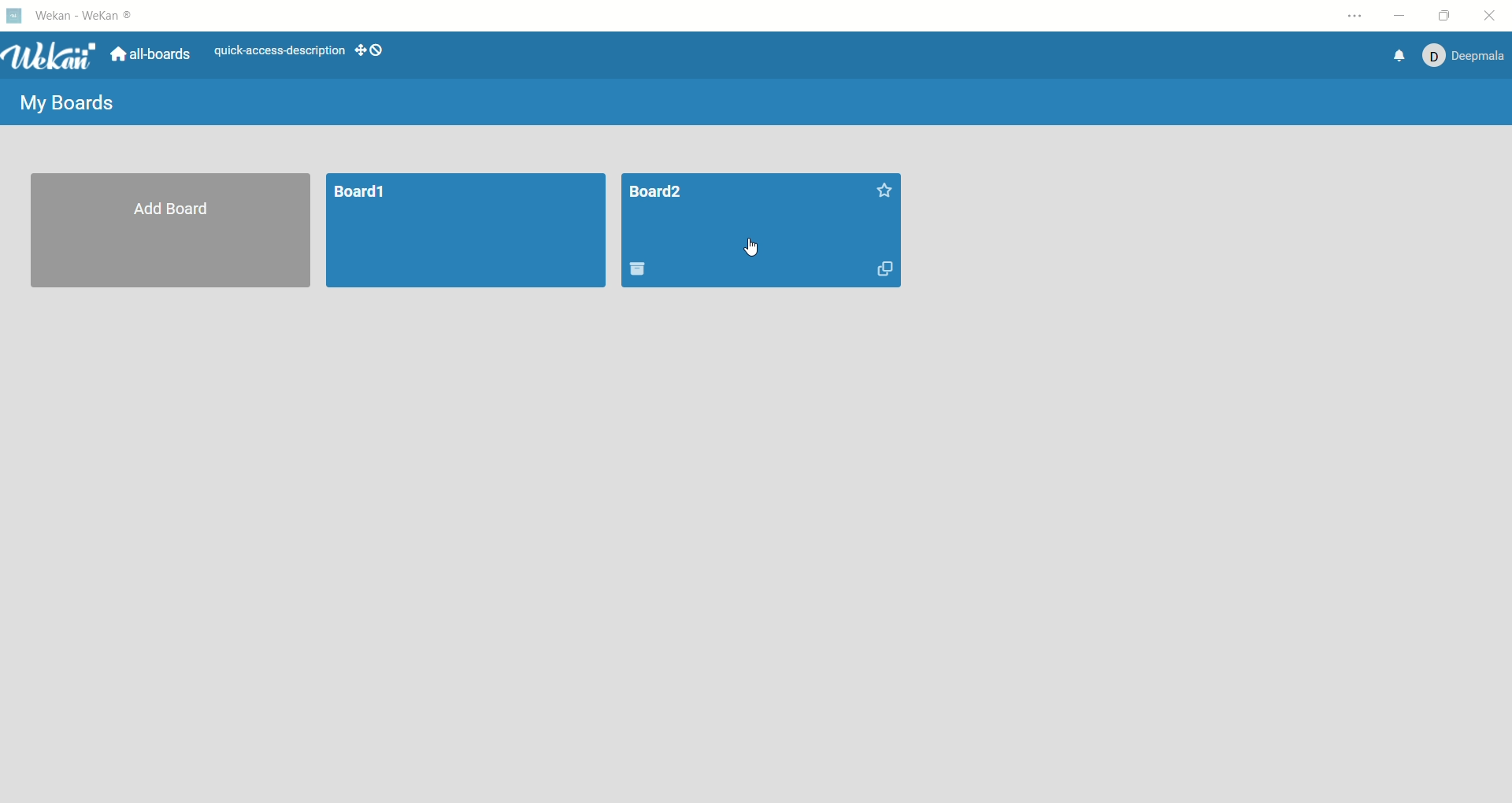  Describe the element at coordinates (1463, 53) in the screenshot. I see `account` at that location.